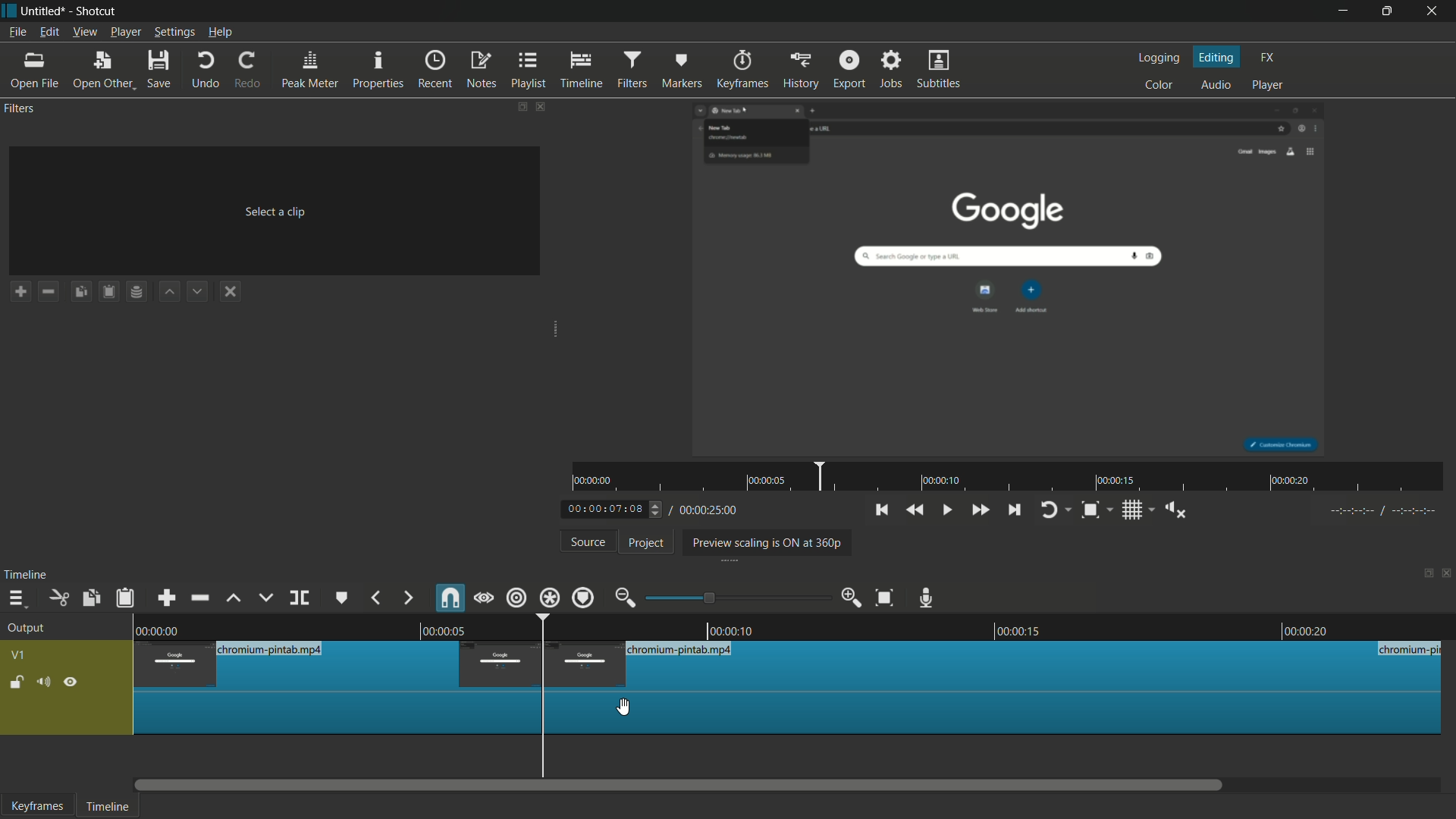  I want to click on close filters, so click(541, 106).